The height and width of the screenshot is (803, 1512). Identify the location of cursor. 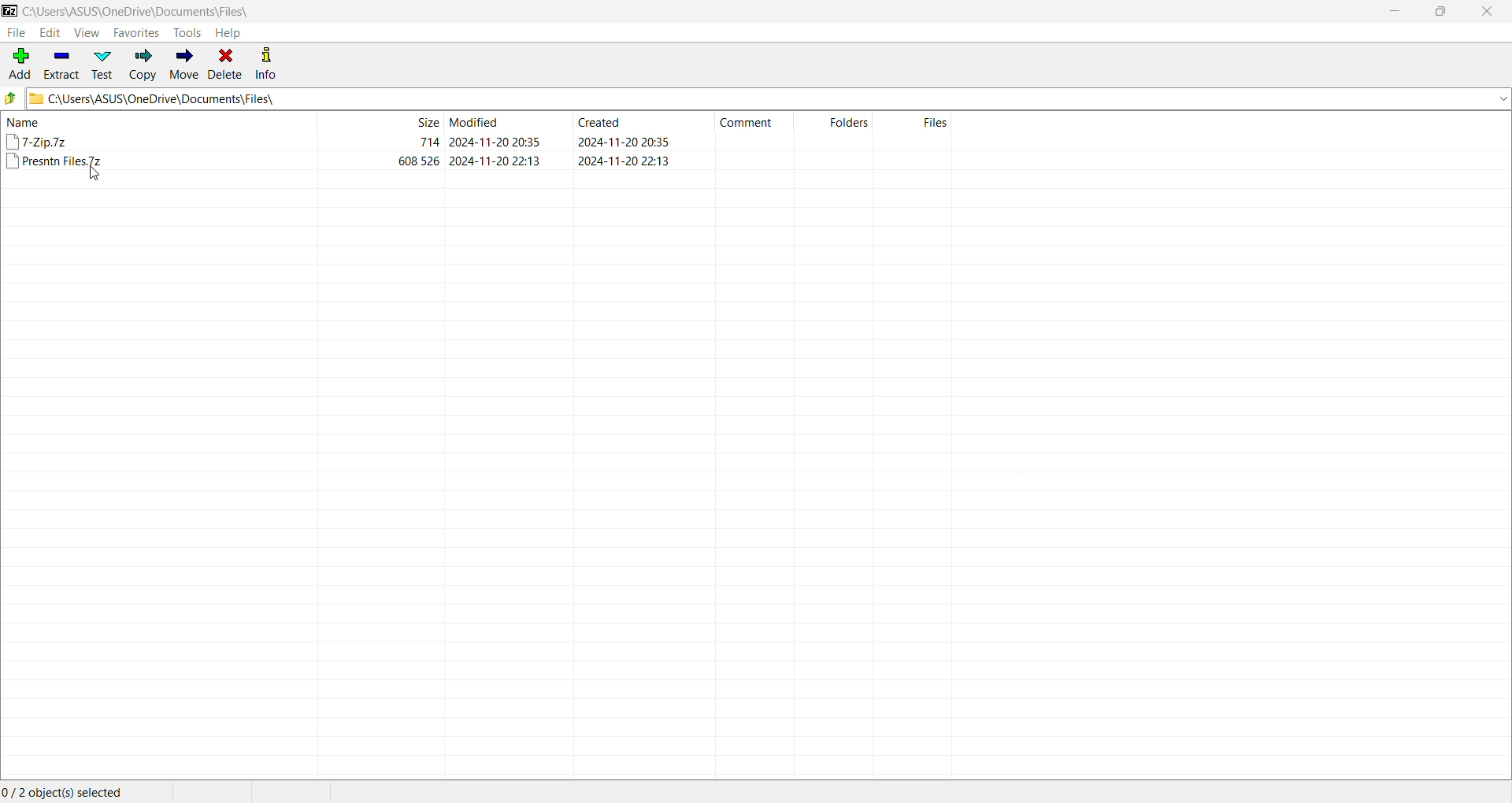
(94, 172).